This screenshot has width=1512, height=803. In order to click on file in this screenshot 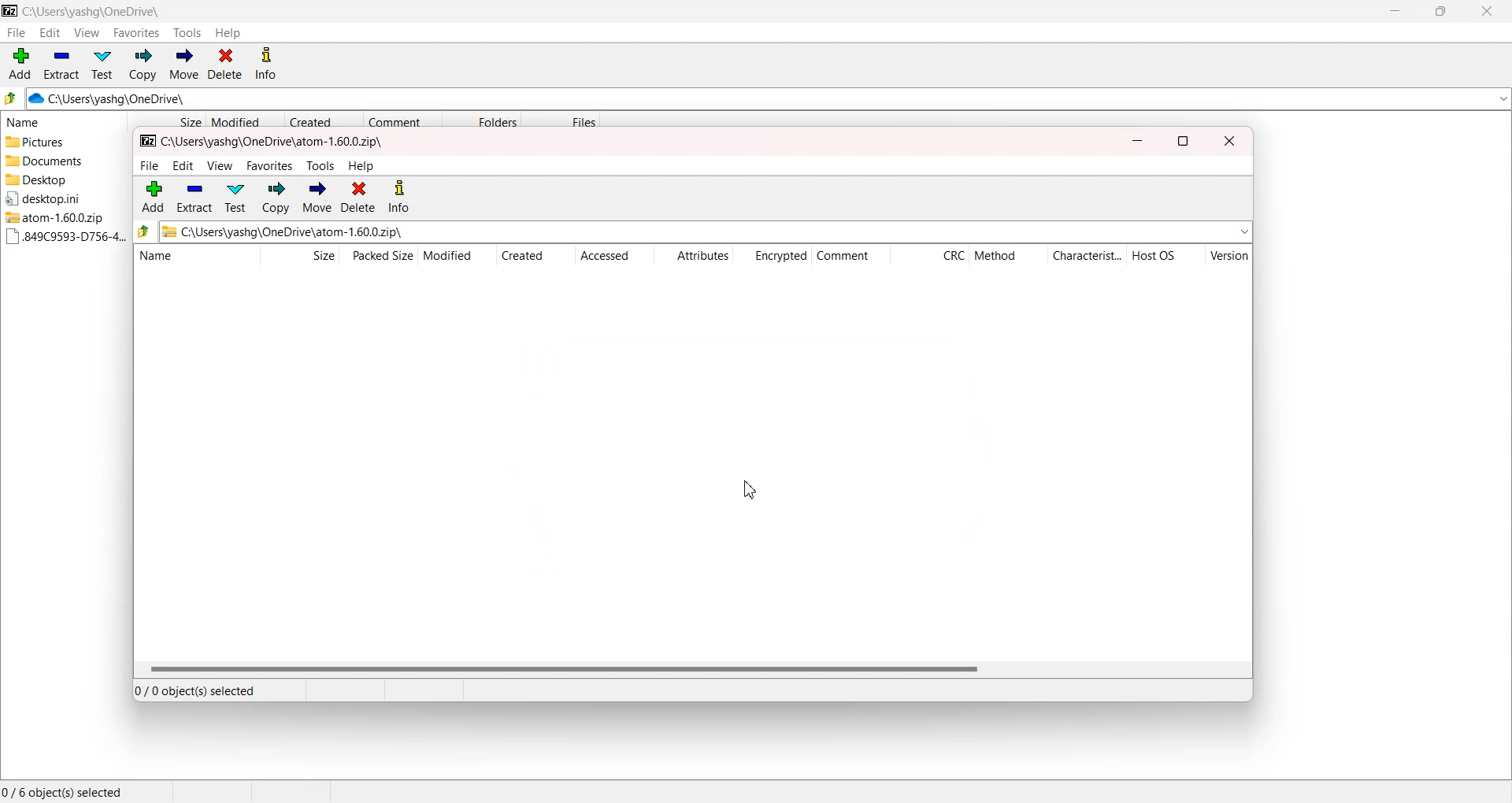, I will do `click(149, 166)`.